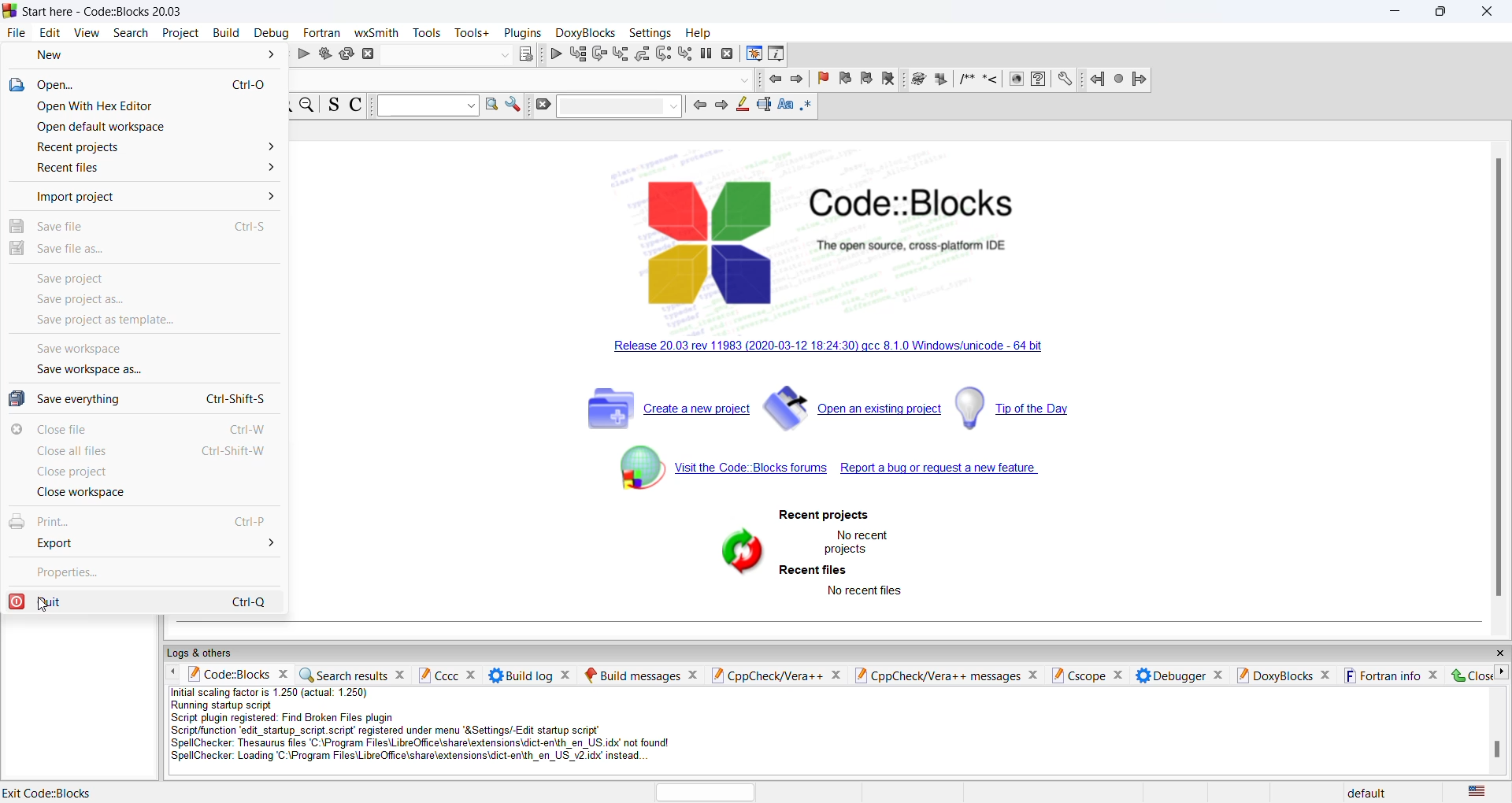 The width and height of the screenshot is (1512, 803). Describe the element at coordinates (521, 32) in the screenshot. I see `plugins` at that location.